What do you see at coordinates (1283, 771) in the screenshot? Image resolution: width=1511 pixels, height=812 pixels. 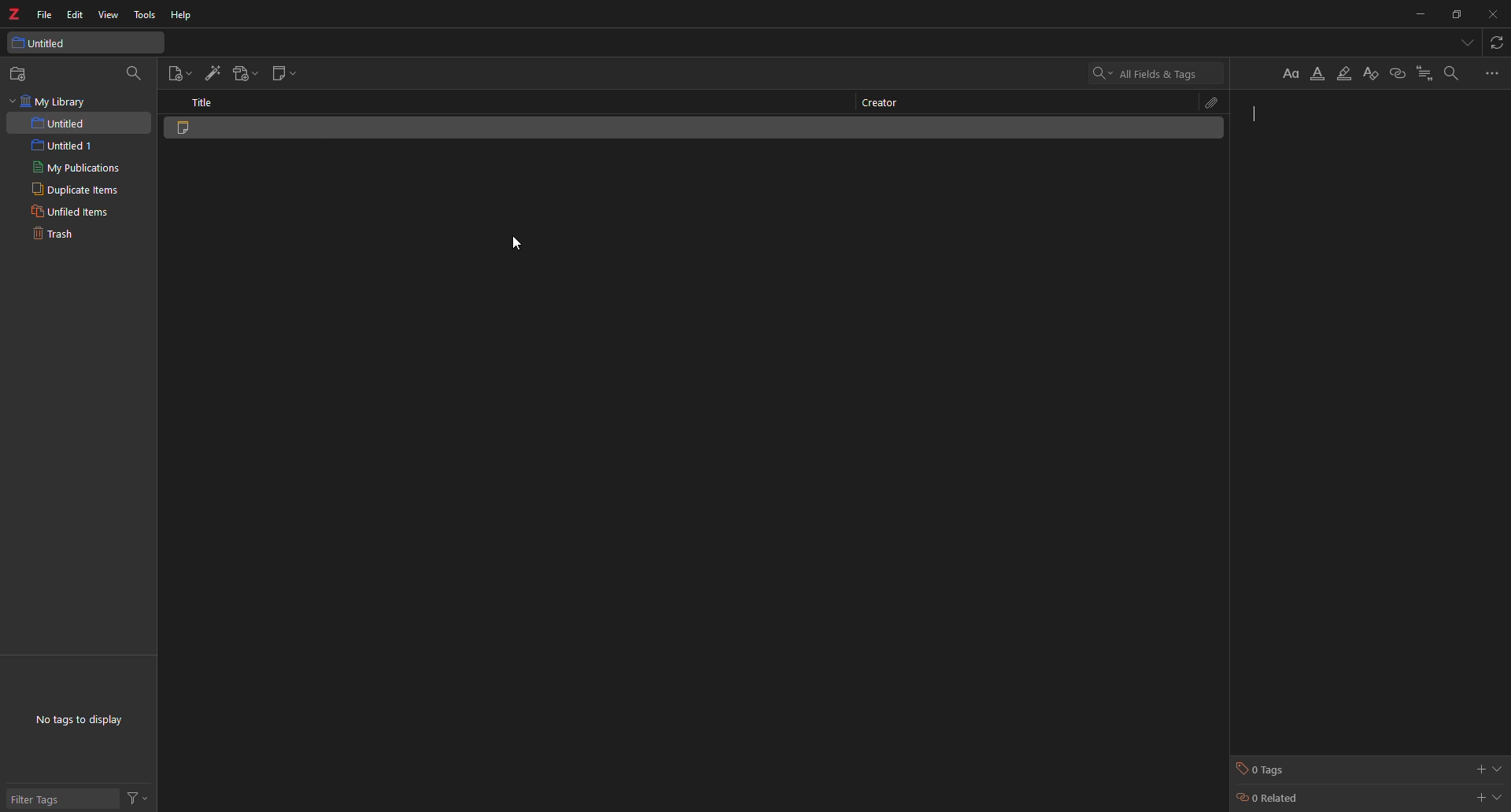 I see `0 tags` at bounding box center [1283, 771].